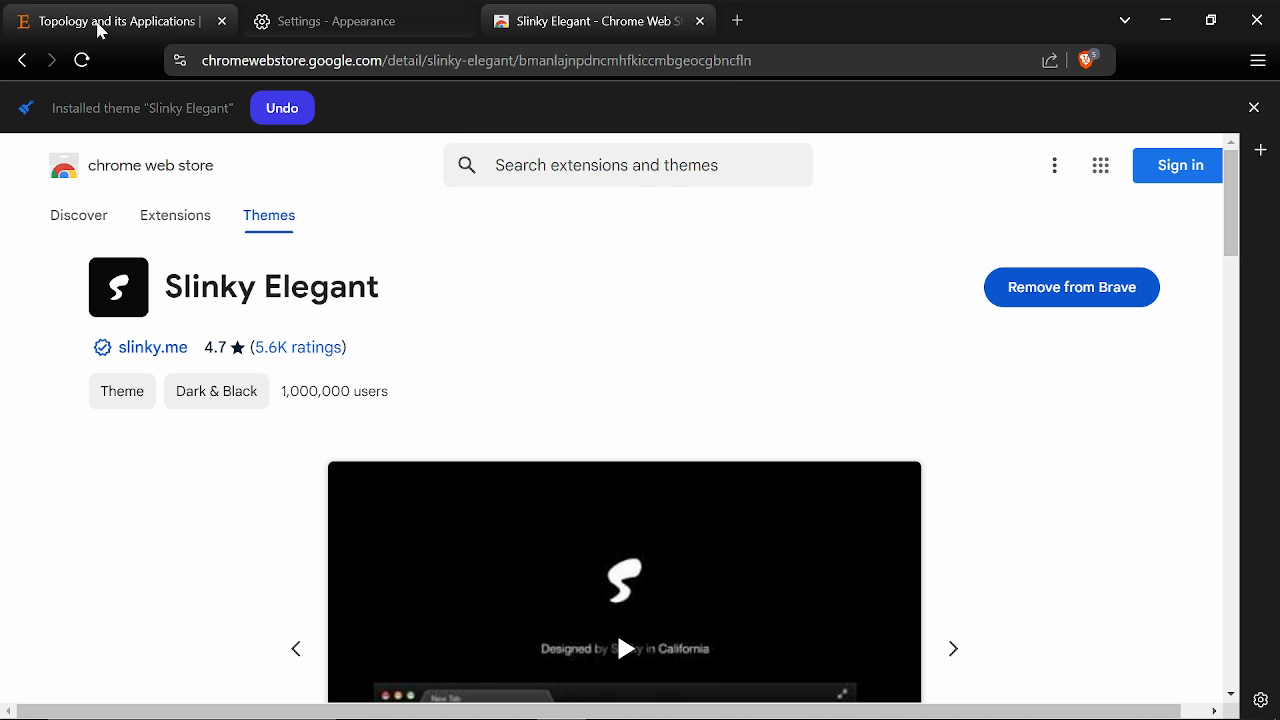 The image size is (1280, 720). Describe the element at coordinates (216, 393) in the screenshot. I see `Appearences` at that location.